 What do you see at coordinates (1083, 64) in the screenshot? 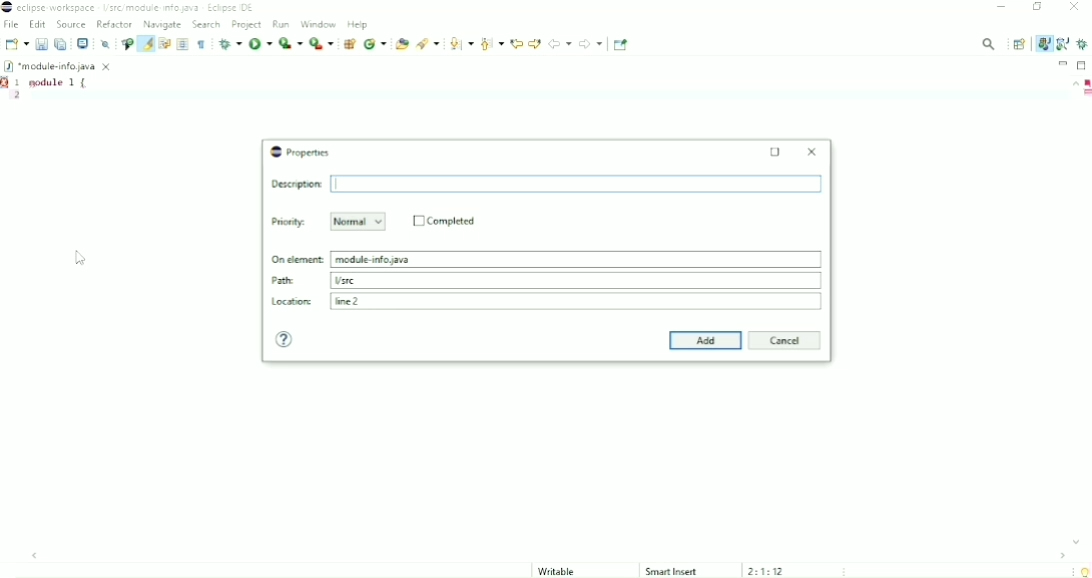
I see `Maximize` at bounding box center [1083, 64].